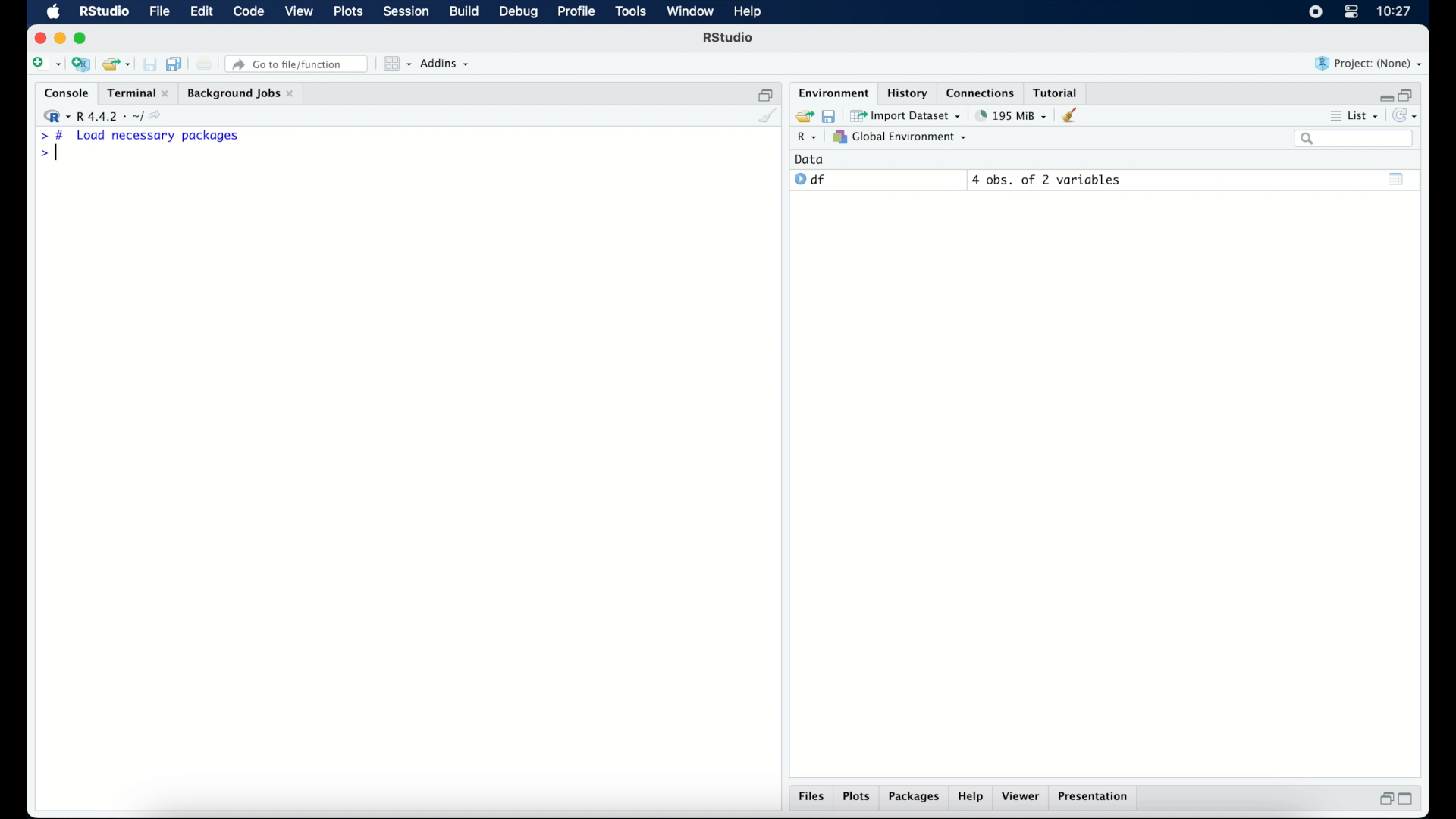 Image resolution: width=1456 pixels, height=819 pixels. Describe the element at coordinates (858, 798) in the screenshot. I see `plots` at that location.